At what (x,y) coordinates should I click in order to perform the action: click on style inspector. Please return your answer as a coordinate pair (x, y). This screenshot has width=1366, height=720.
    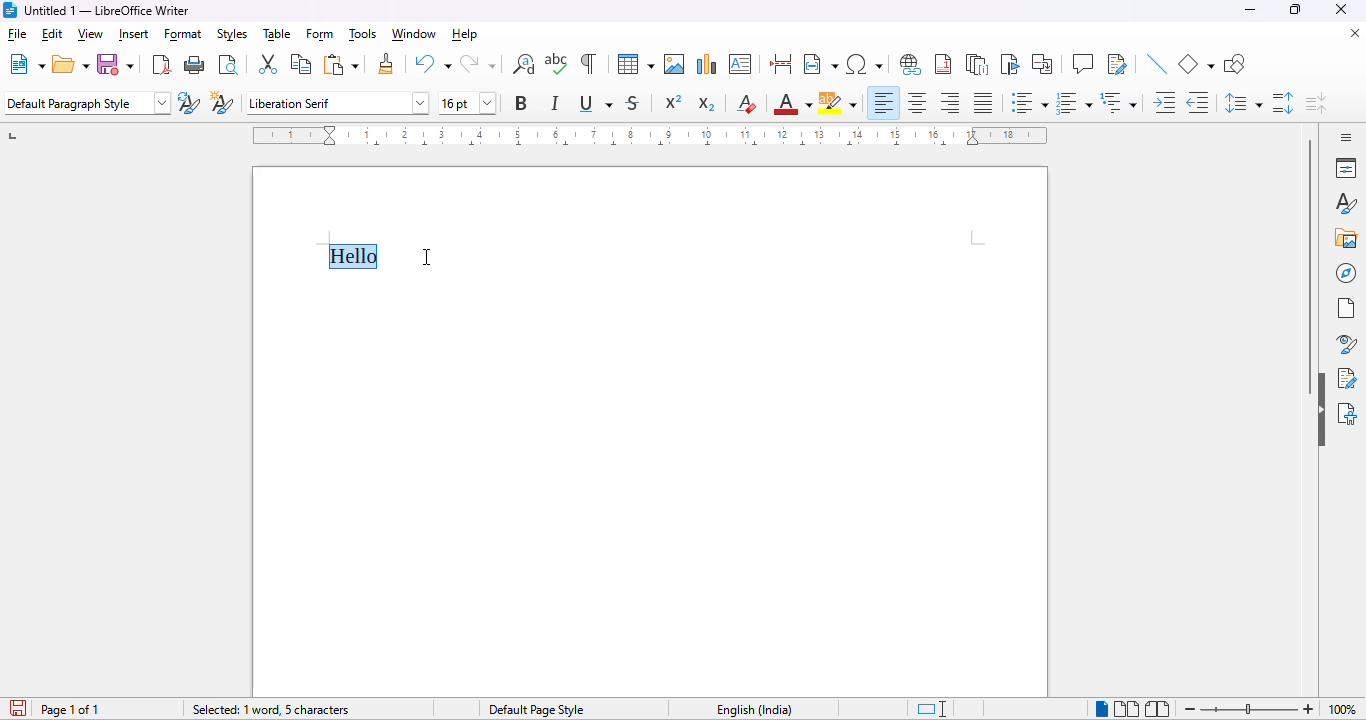
    Looking at the image, I should click on (1343, 343).